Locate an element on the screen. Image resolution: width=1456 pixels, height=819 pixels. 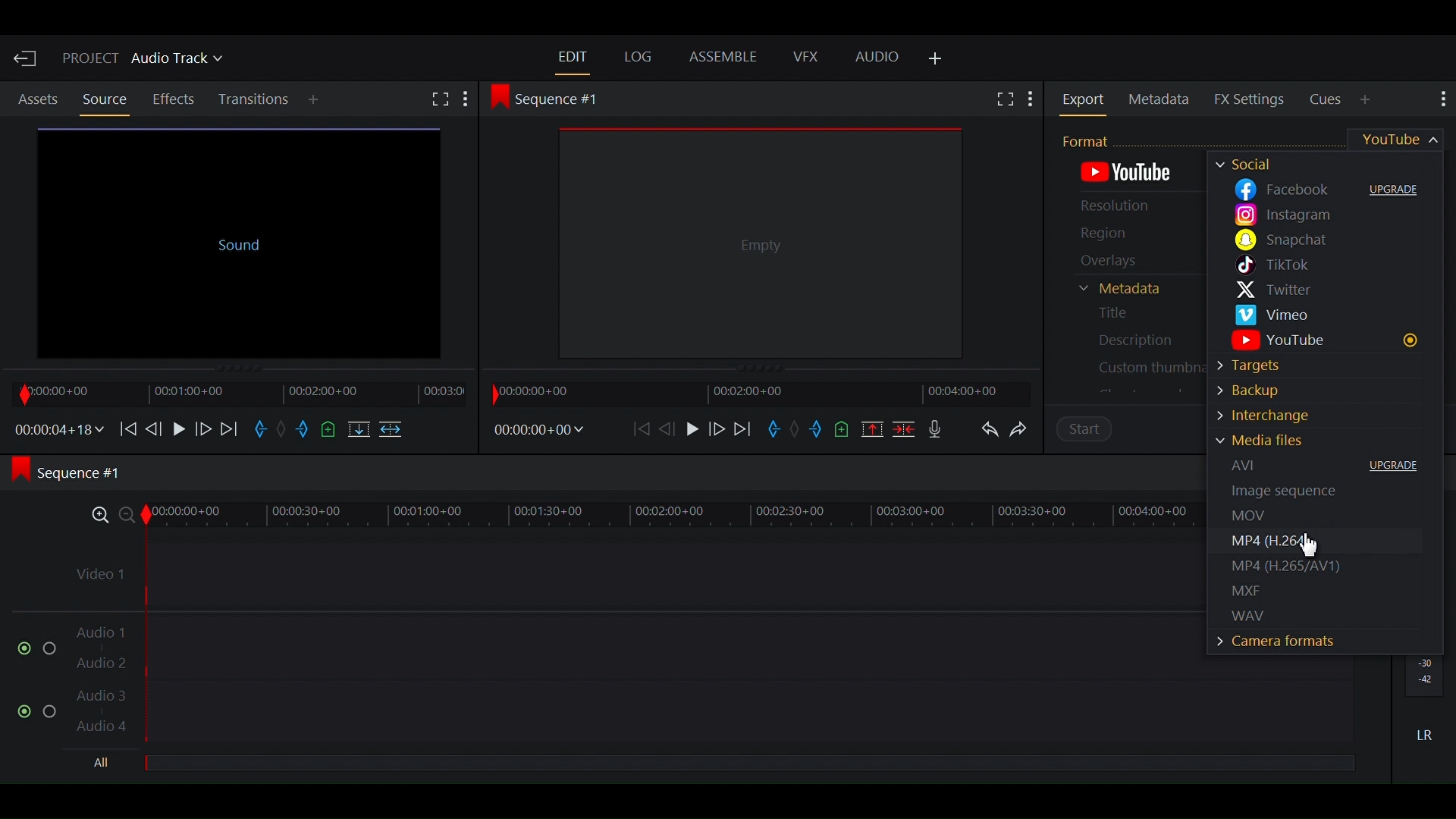
Edit is located at coordinates (573, 56).